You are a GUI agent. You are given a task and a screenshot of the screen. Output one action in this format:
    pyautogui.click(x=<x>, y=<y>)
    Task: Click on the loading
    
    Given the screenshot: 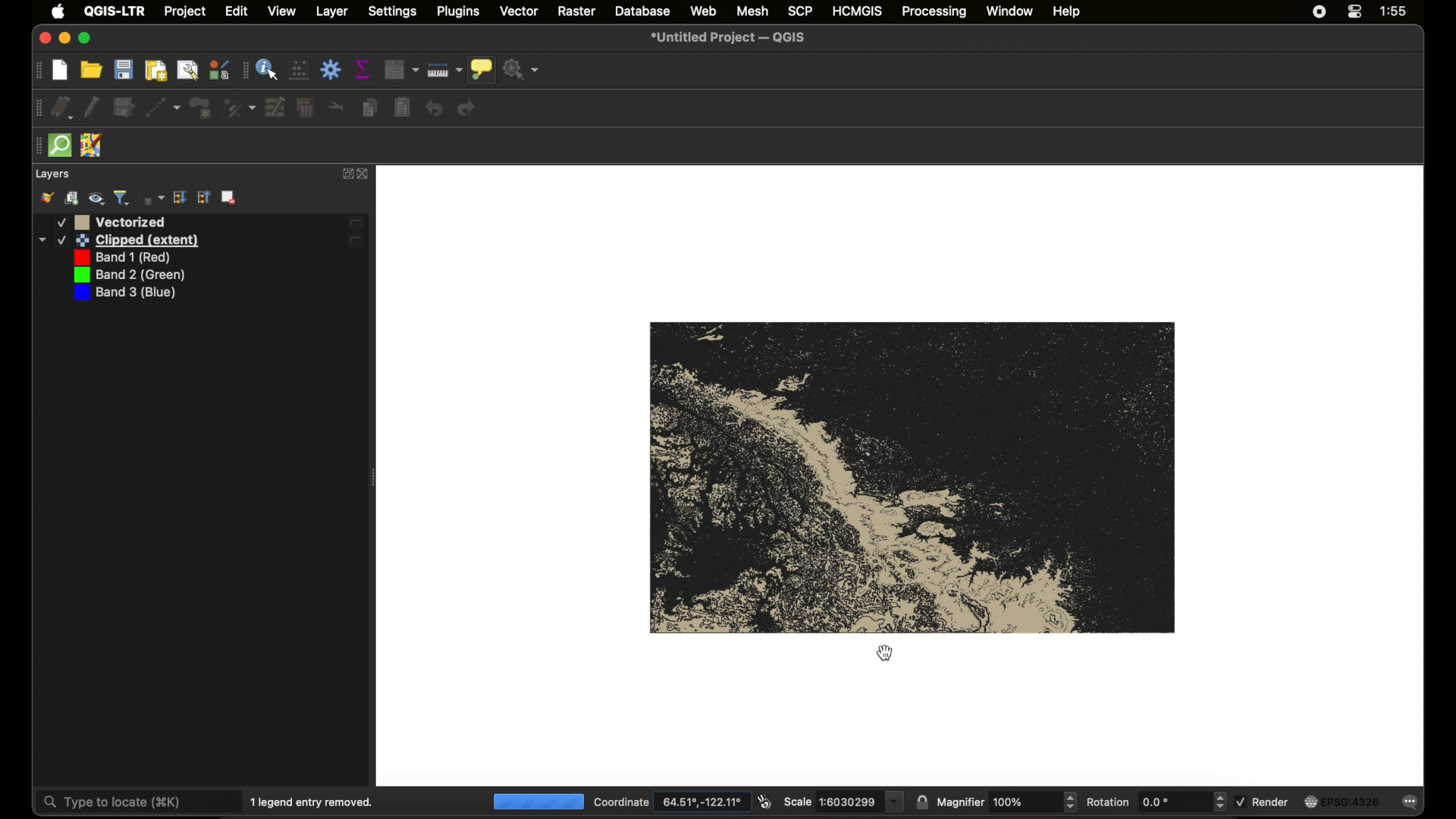 What is the action you would take?
    pyautogui.click(x=539, y=802)
    